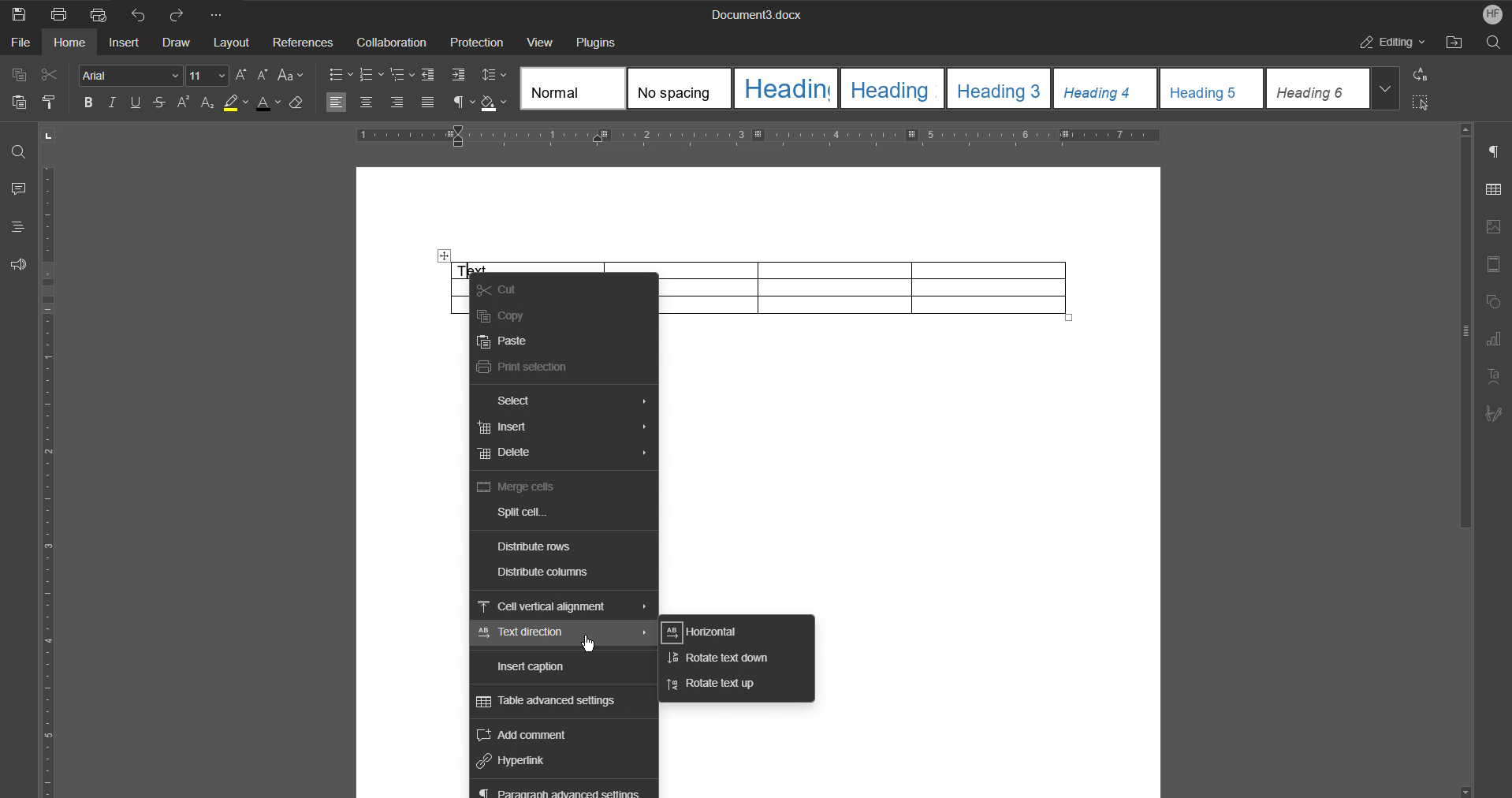 This screenshot has width=1512, height=798. What do you see at coordinates (533, 735) in the screenshot?
I see `Add comment` at bounding box center [533, 735].